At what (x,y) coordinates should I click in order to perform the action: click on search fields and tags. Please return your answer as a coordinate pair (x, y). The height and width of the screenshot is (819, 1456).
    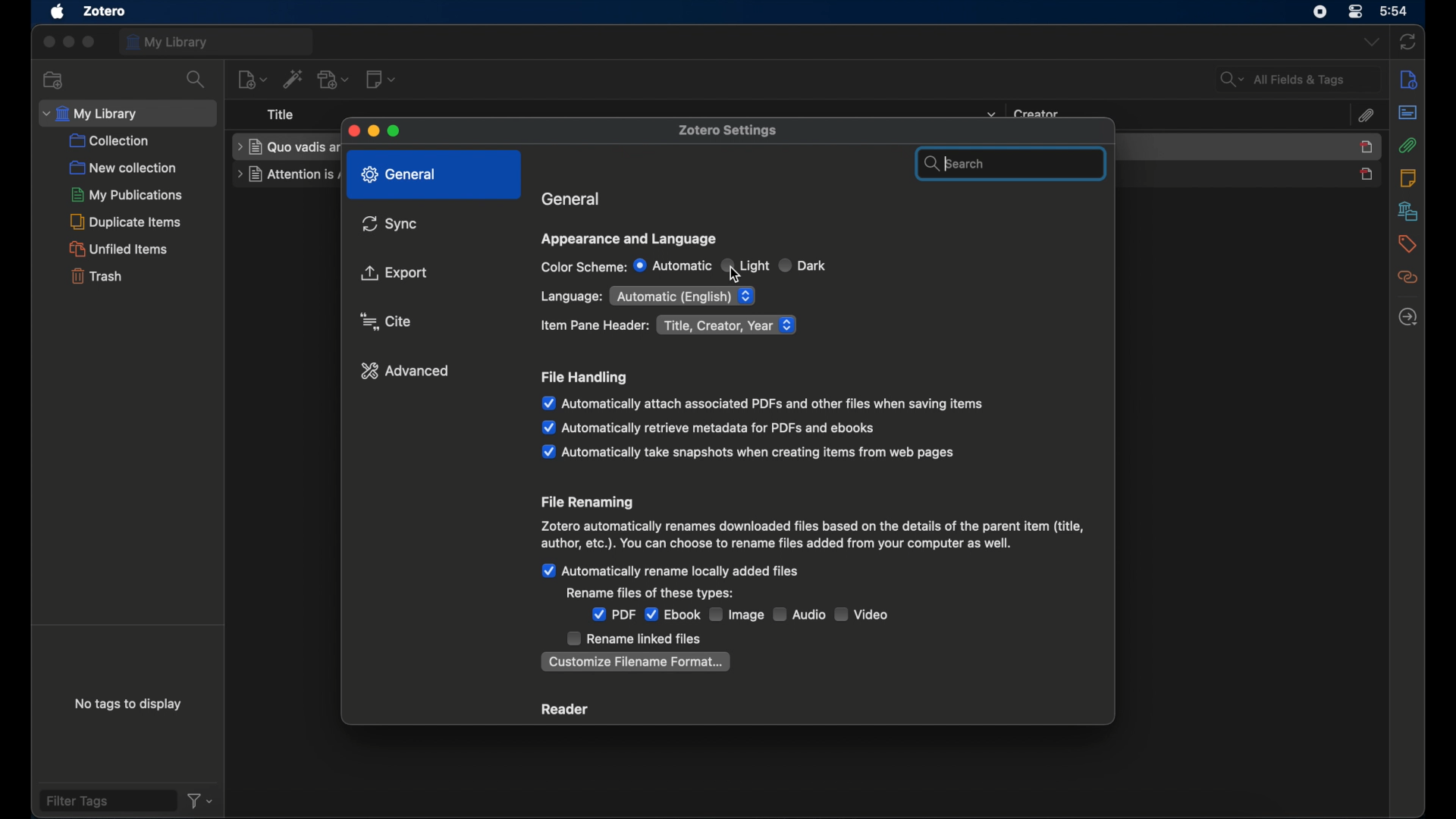
    Looking at the image, I should click on (1298, 79).